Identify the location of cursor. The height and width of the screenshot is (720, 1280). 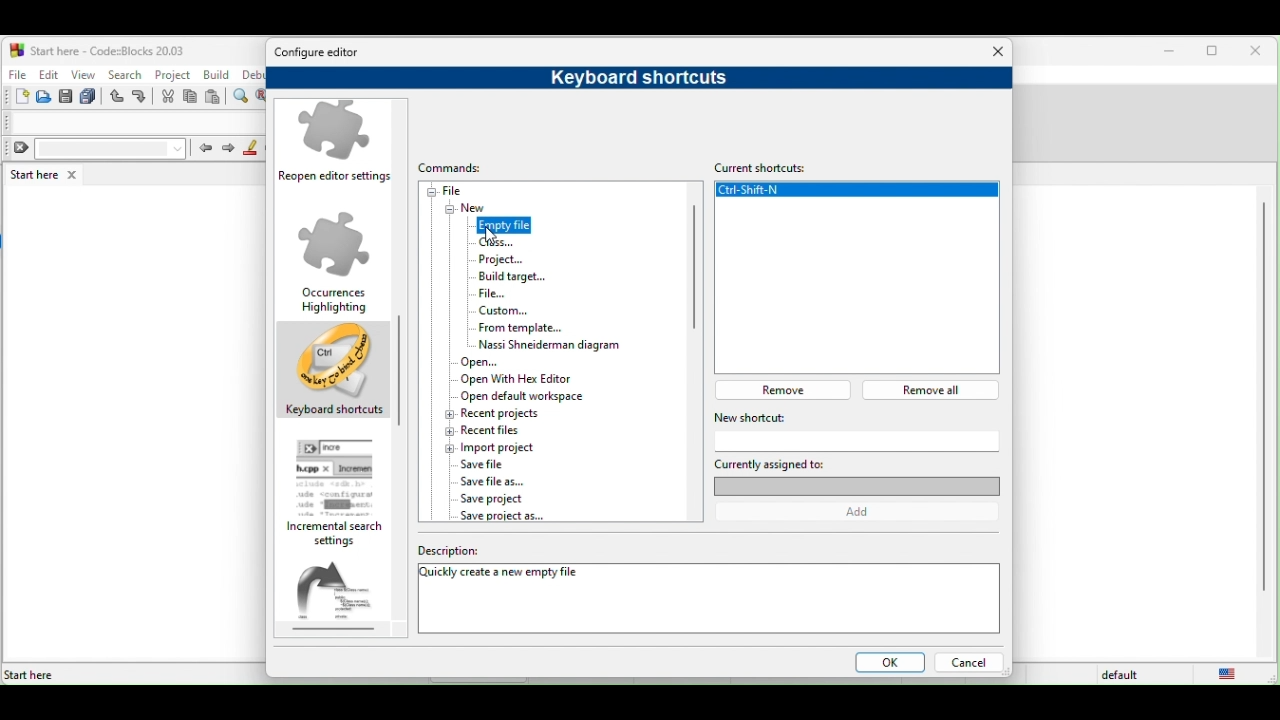
(497, 241).